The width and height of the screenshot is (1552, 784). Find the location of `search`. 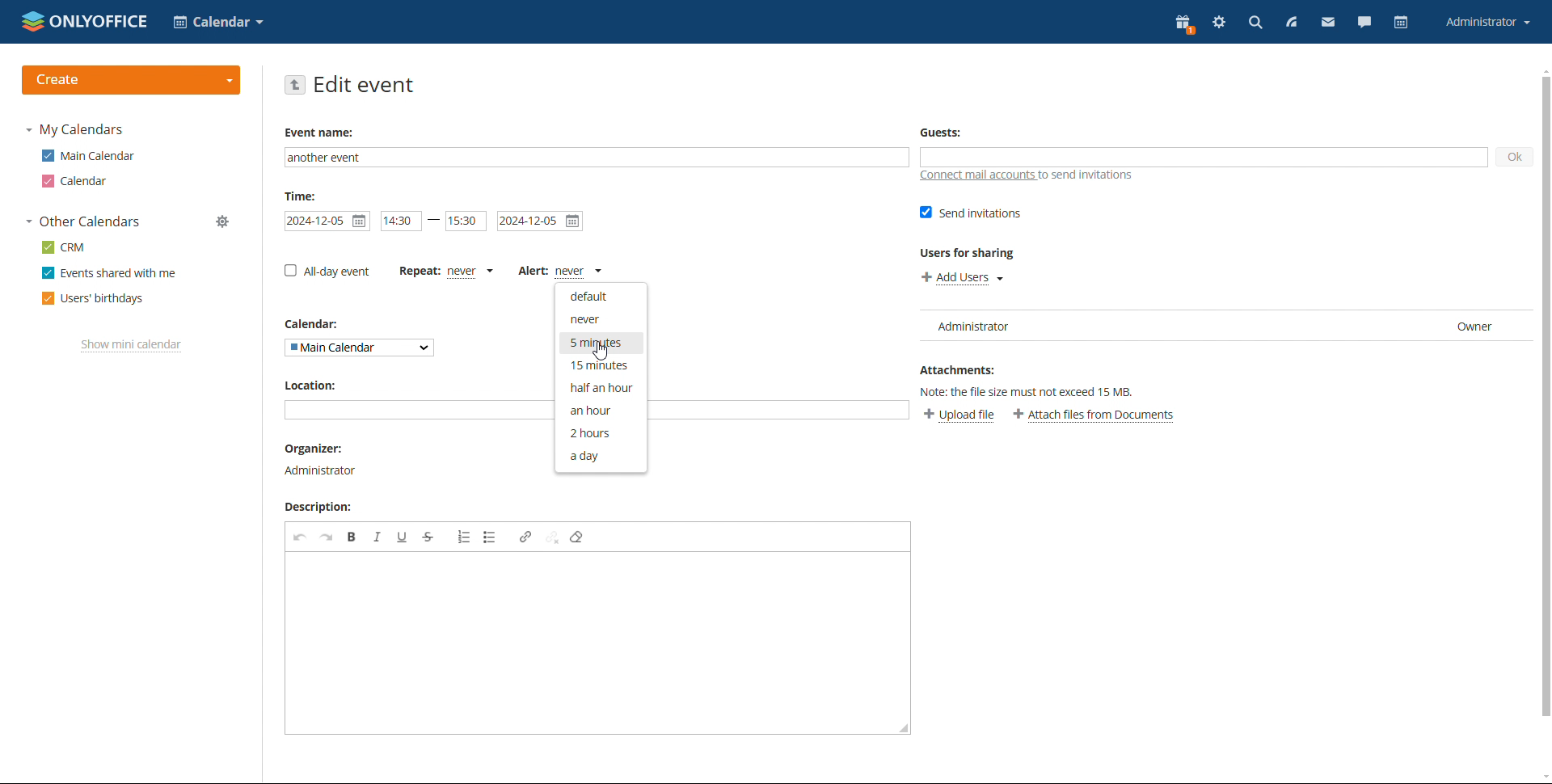

search is located at coordinates (1255, 23).